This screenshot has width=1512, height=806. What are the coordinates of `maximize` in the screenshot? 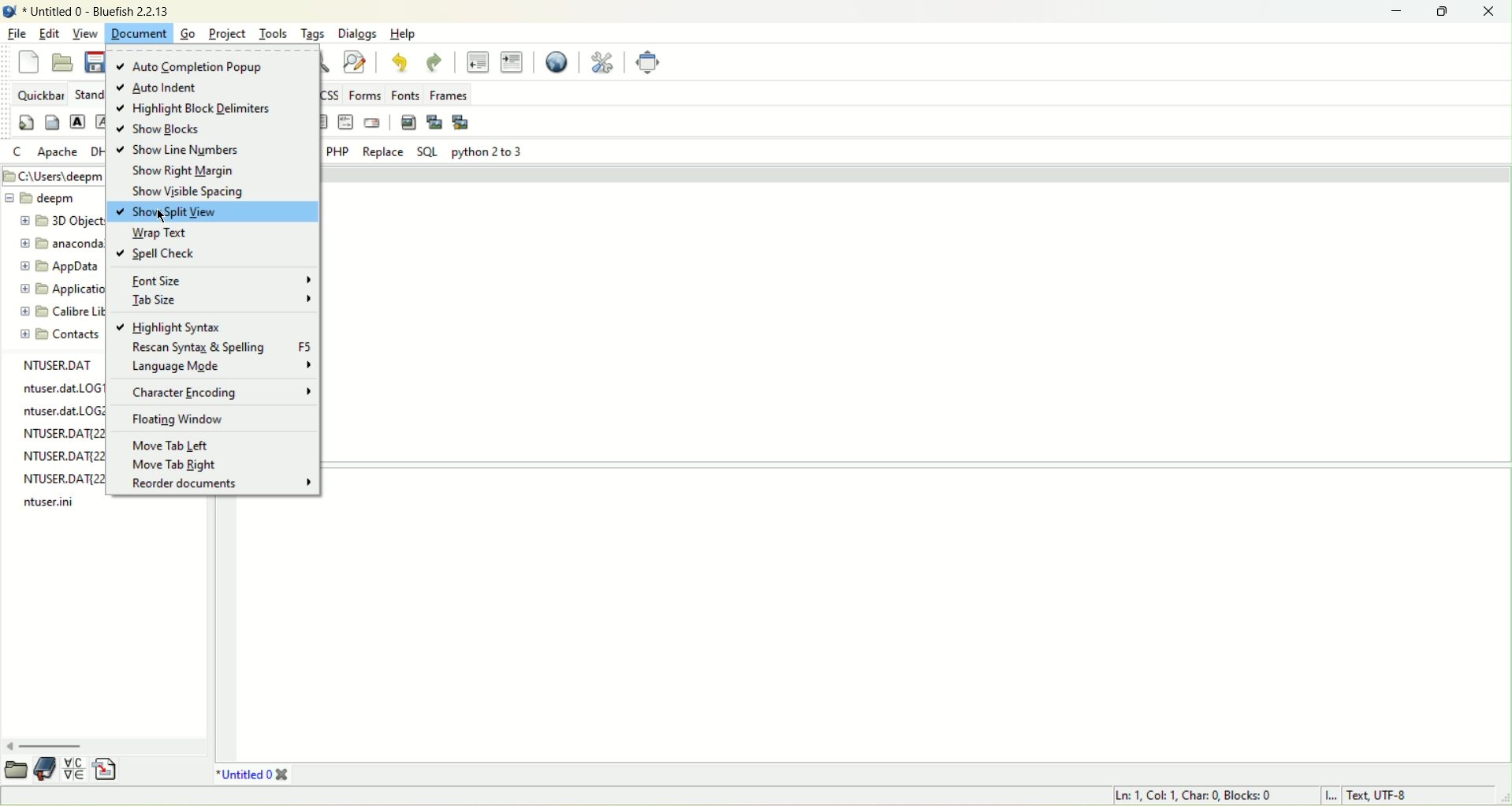 It's located at (1446, 13).